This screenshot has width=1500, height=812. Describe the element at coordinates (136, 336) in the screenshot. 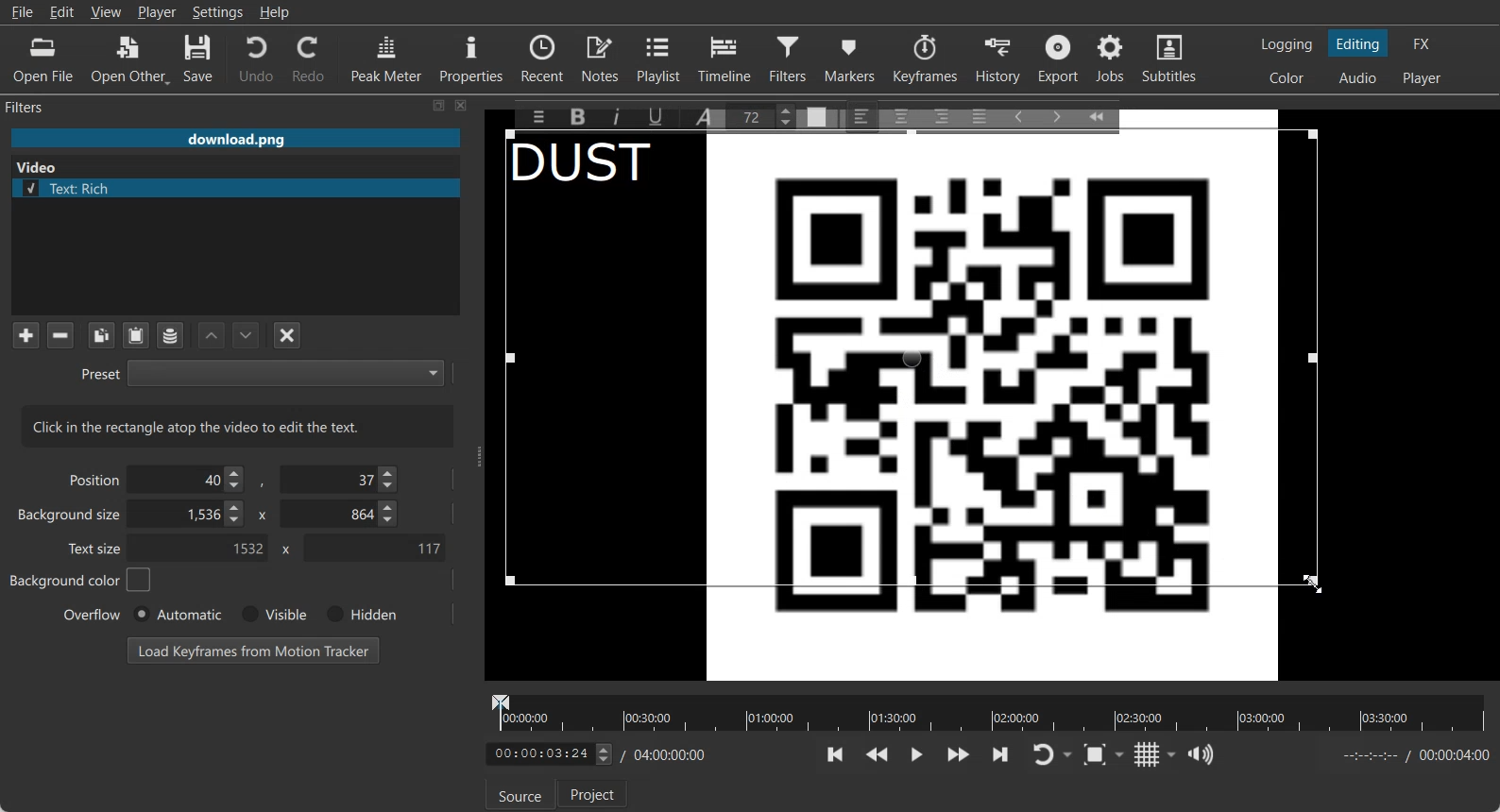

I see `Paste Filters` at that location.